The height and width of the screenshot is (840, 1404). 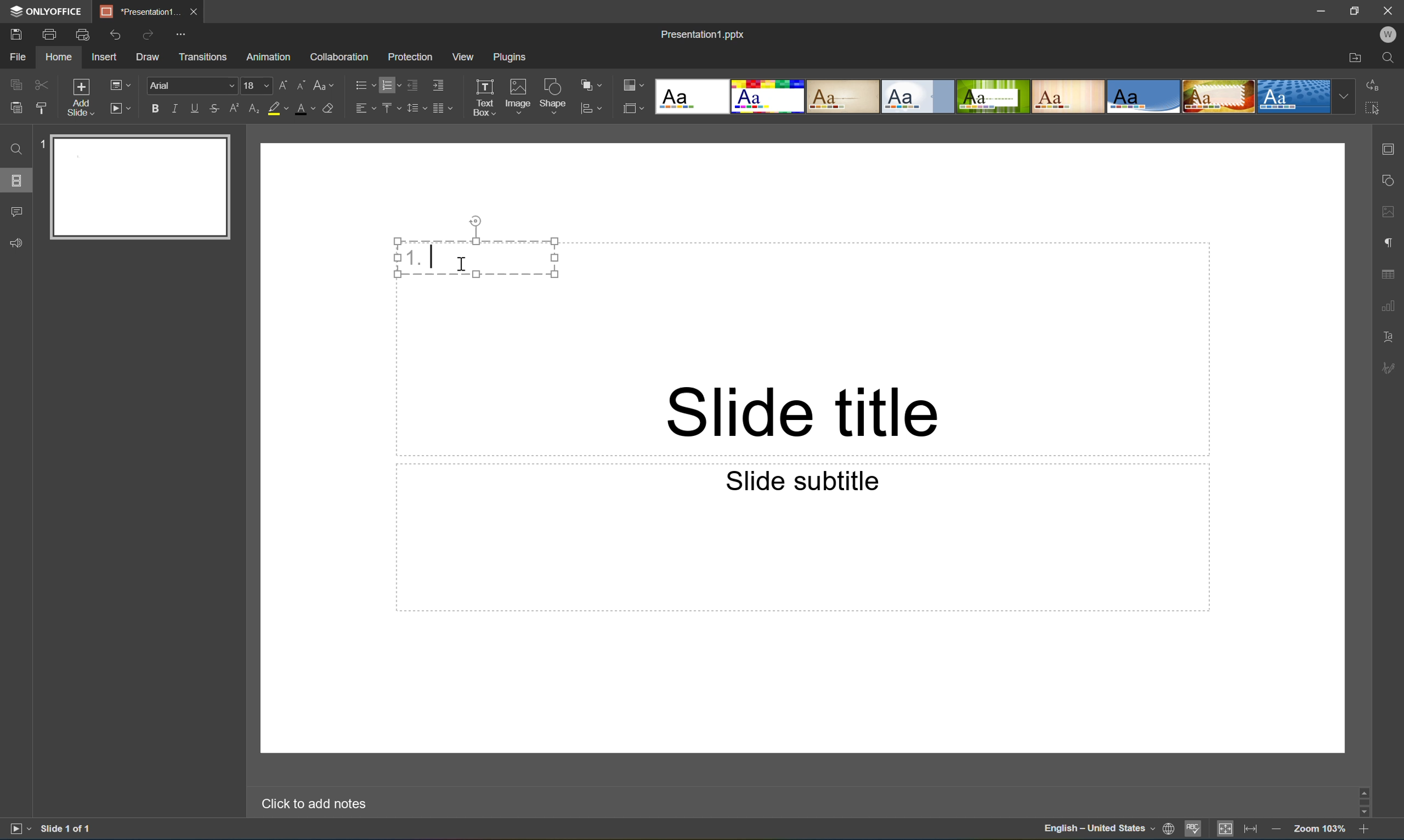 What do you see at coordinates (1277, 832) in the screenshot?
I see `Zoom out` at bounding box center [1277, 832].